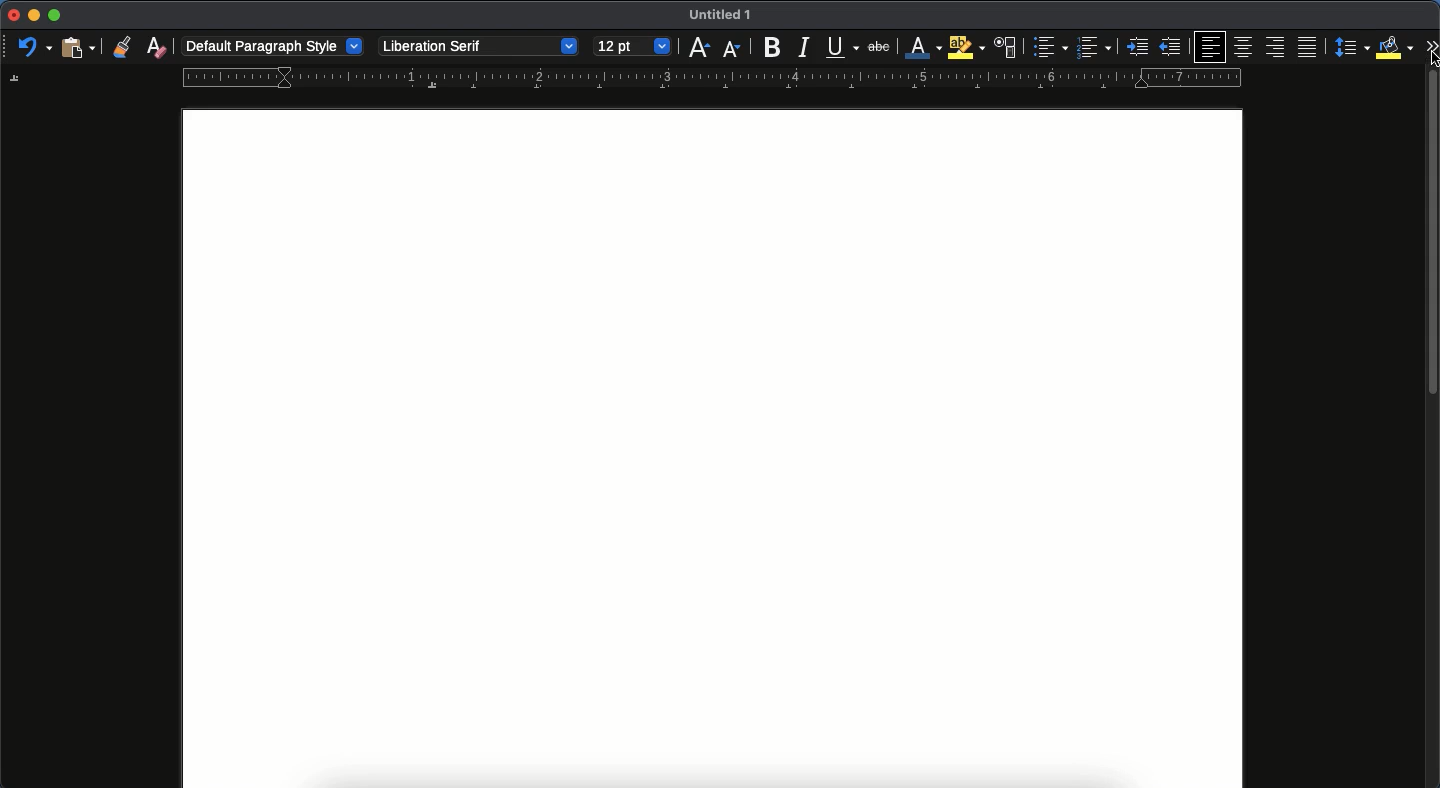 This screenshot has width=1440, height=788. What do you see at coordinates (731, 47) in the screenshot?
I see `decrease size` at bounding box center [731, 47].